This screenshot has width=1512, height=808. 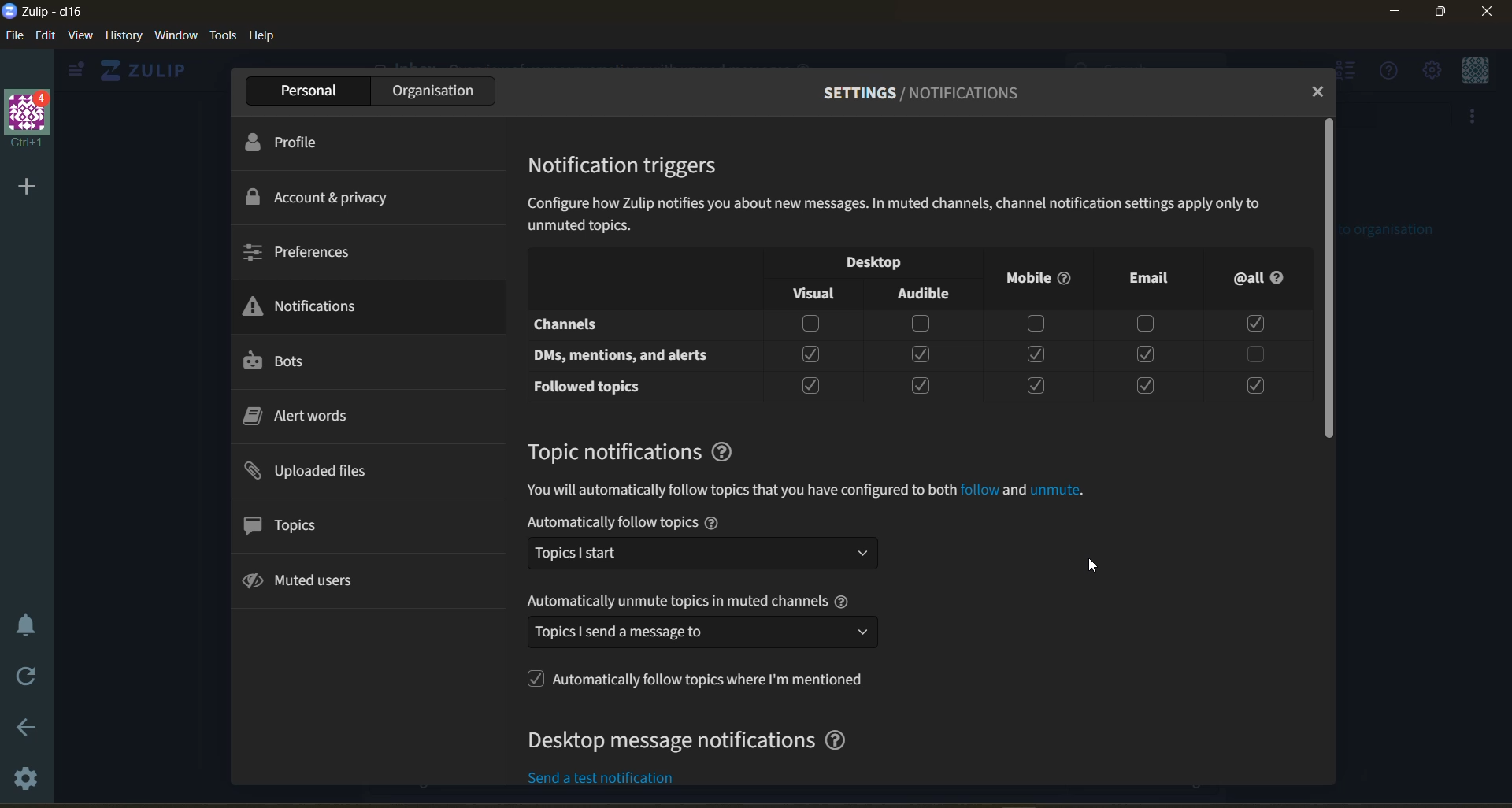 What do you see at coordinates (27, 784) in the screenshot?
I see `settings` at bounding box center [27, 784].